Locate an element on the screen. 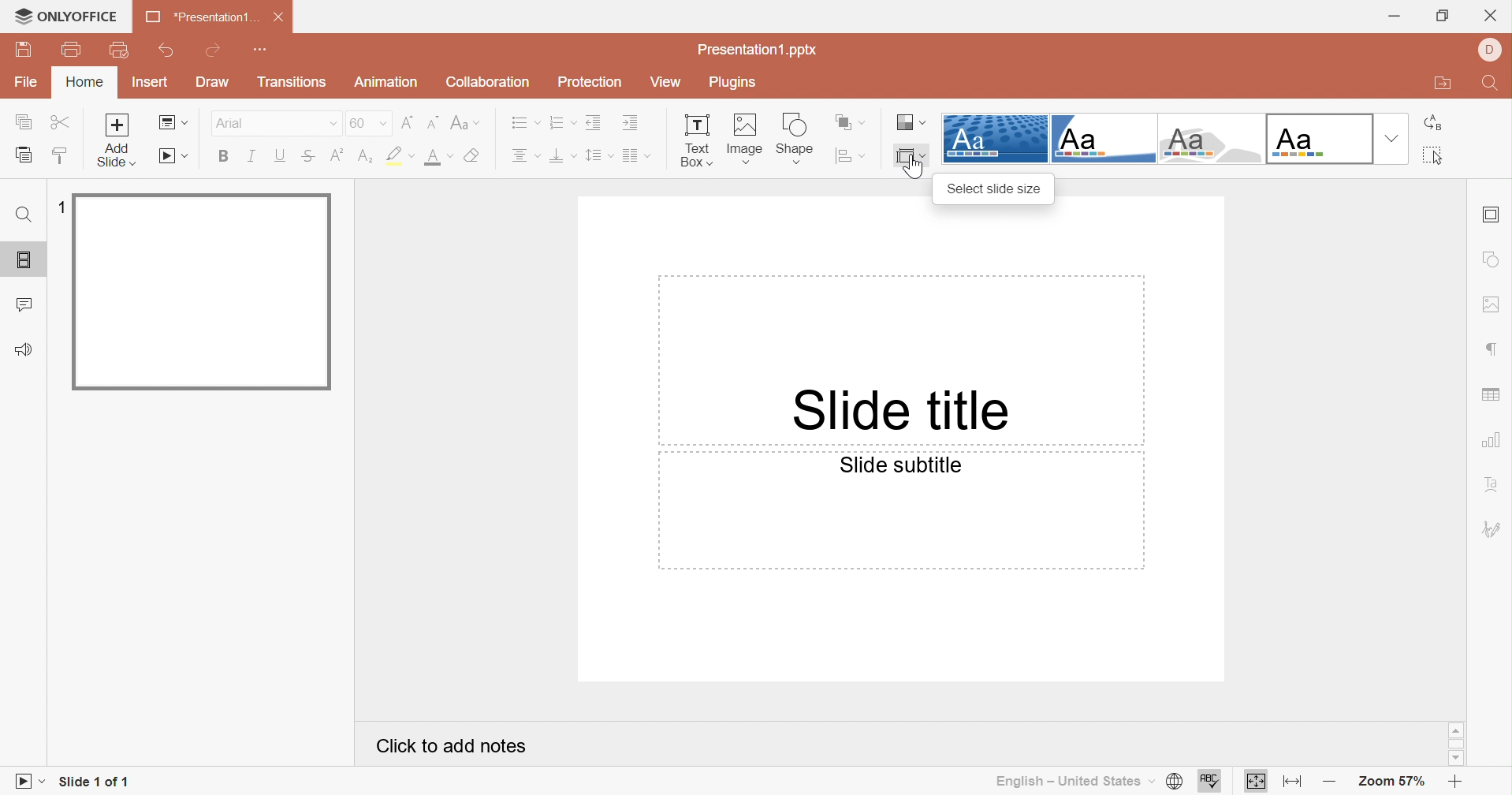 The image size is (1512, 795). Find is located at coordinates (24, 215).